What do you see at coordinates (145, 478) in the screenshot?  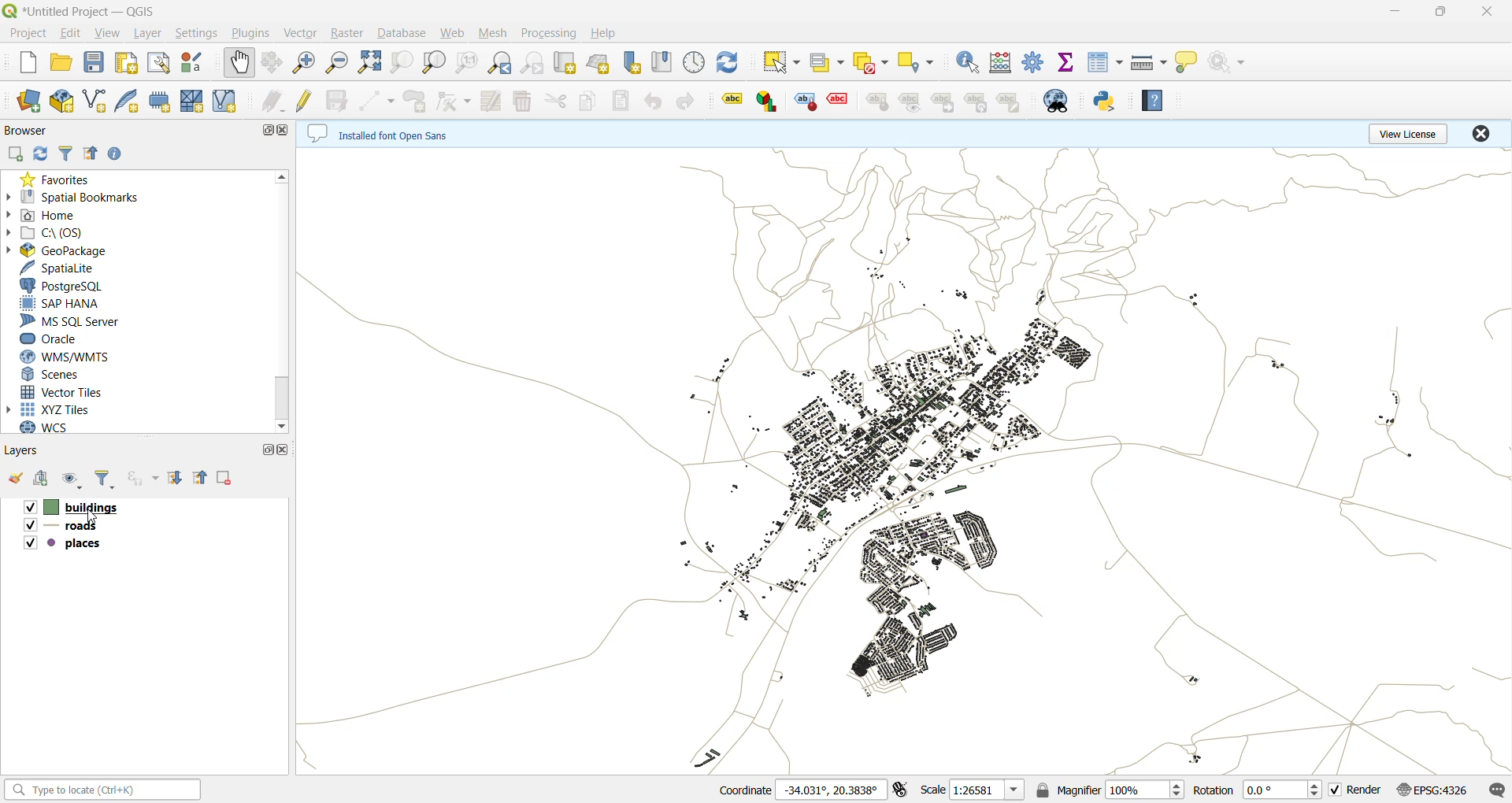 I see `filter by expression` at bounding box center [145, 478].